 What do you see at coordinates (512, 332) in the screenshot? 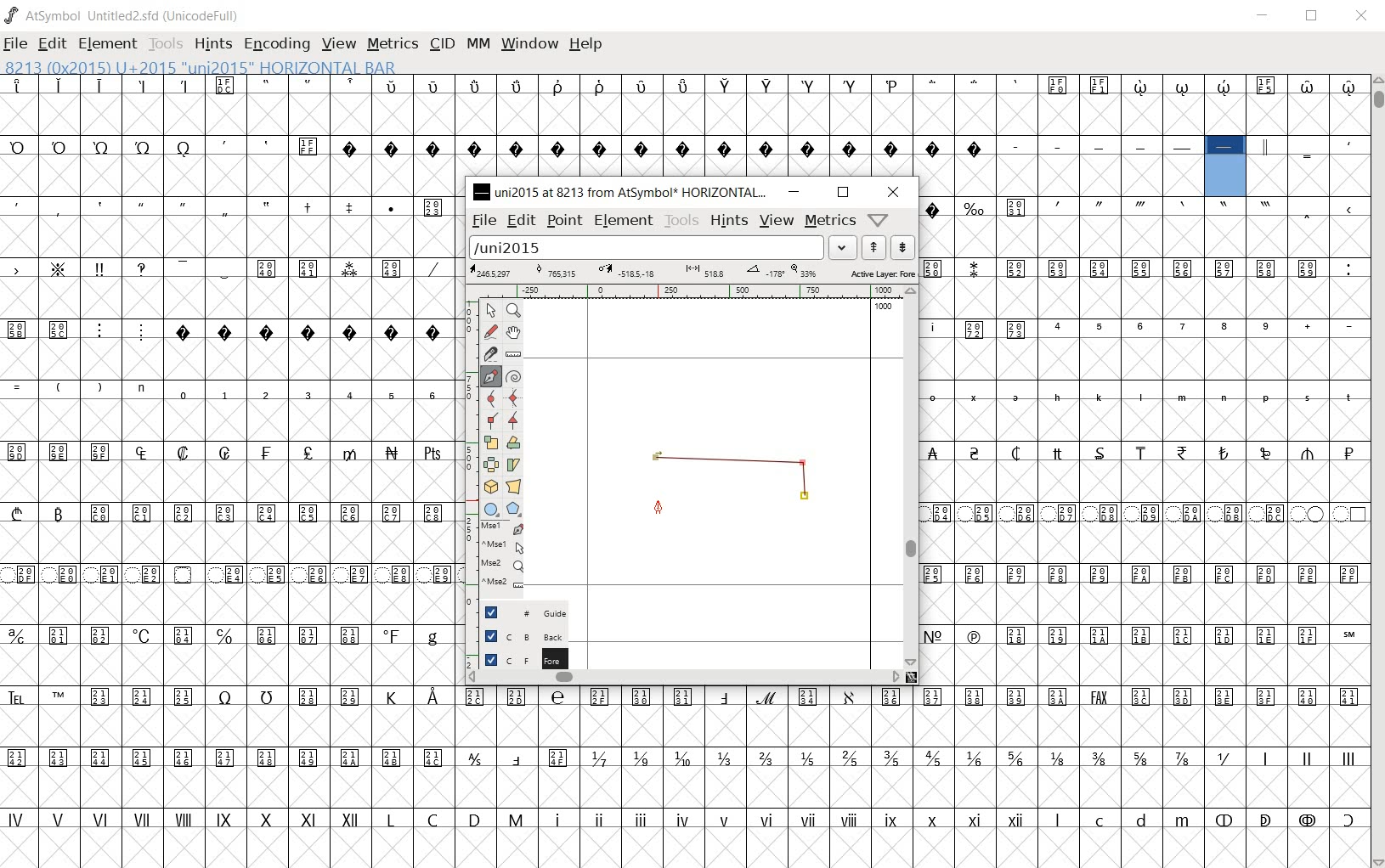
I see `scroll by hand` at bounding box center [512, 332].